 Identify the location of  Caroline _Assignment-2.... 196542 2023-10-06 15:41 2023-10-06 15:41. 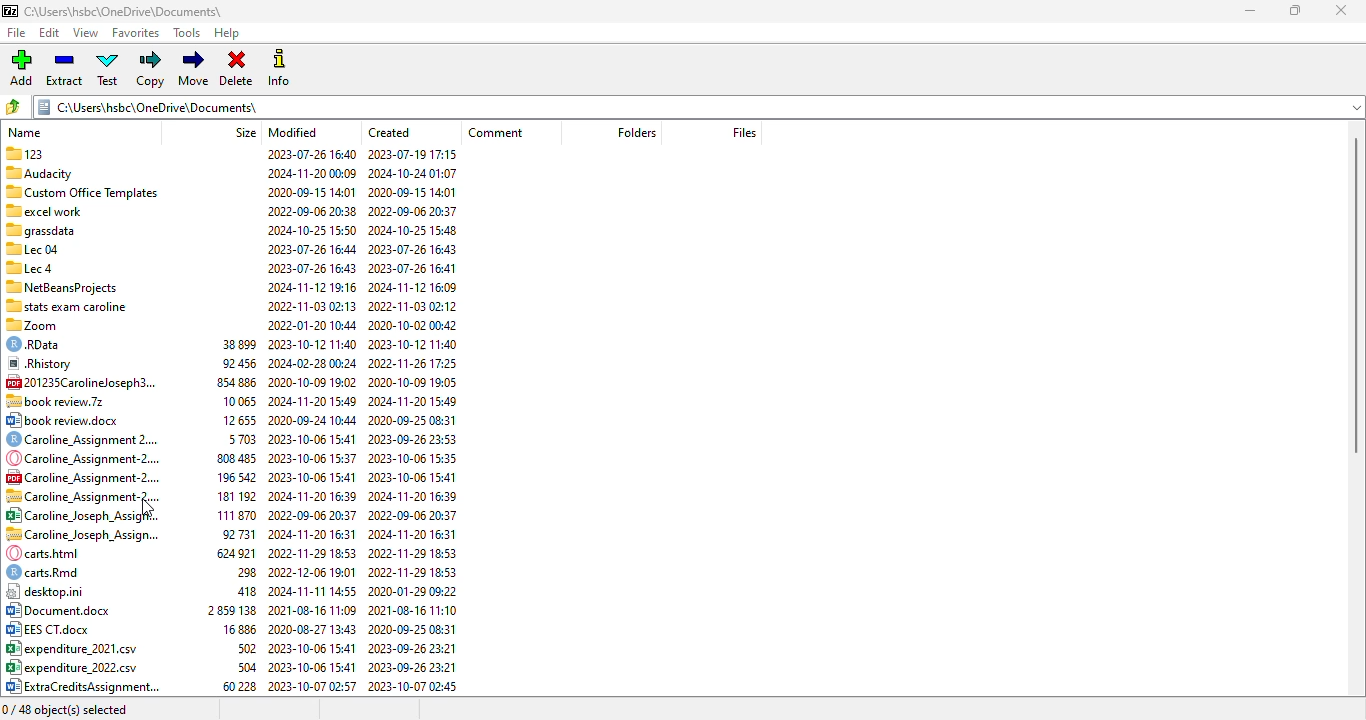
(228, 476).